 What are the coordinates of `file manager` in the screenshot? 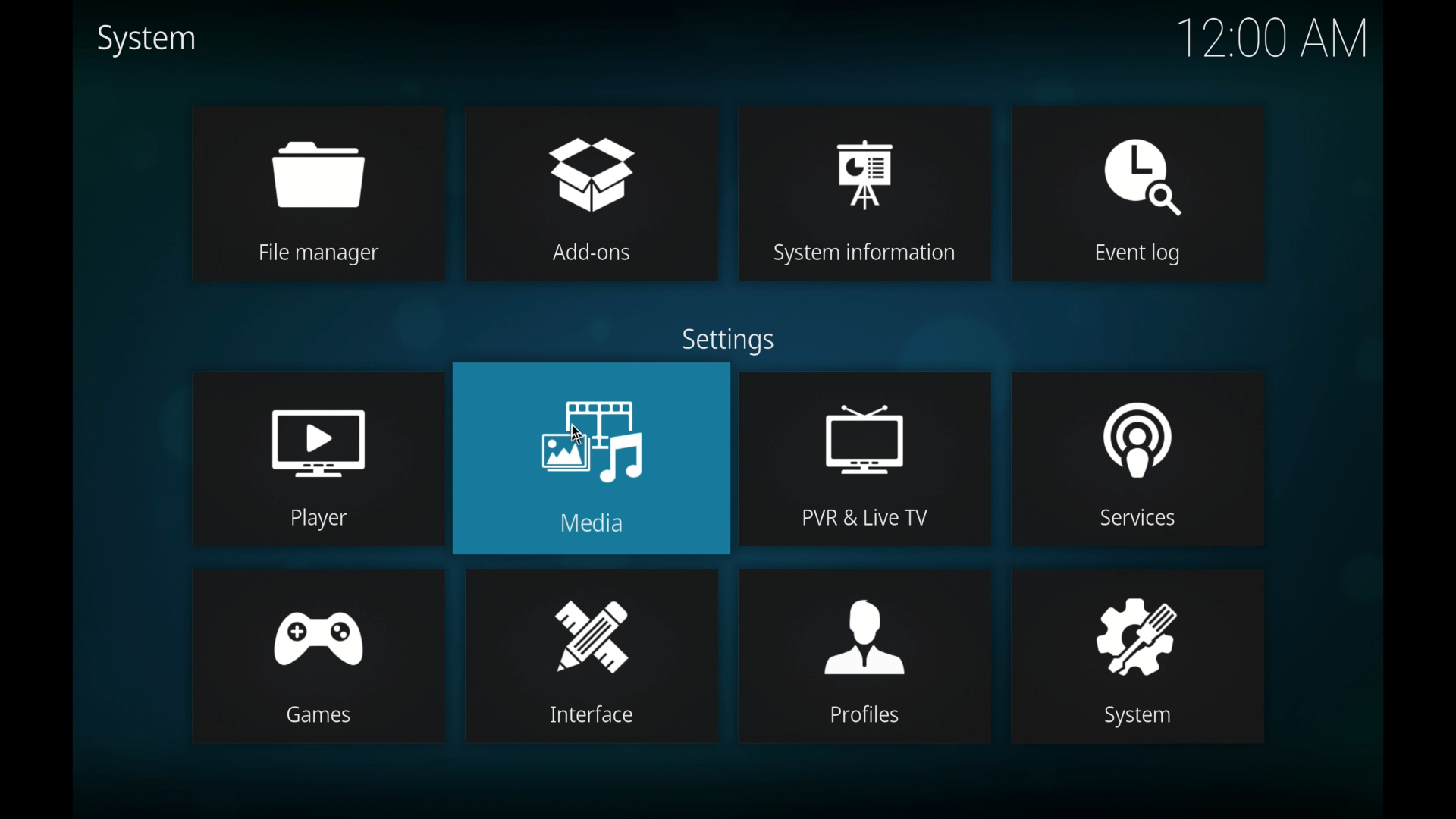 It's located at (315, 194).